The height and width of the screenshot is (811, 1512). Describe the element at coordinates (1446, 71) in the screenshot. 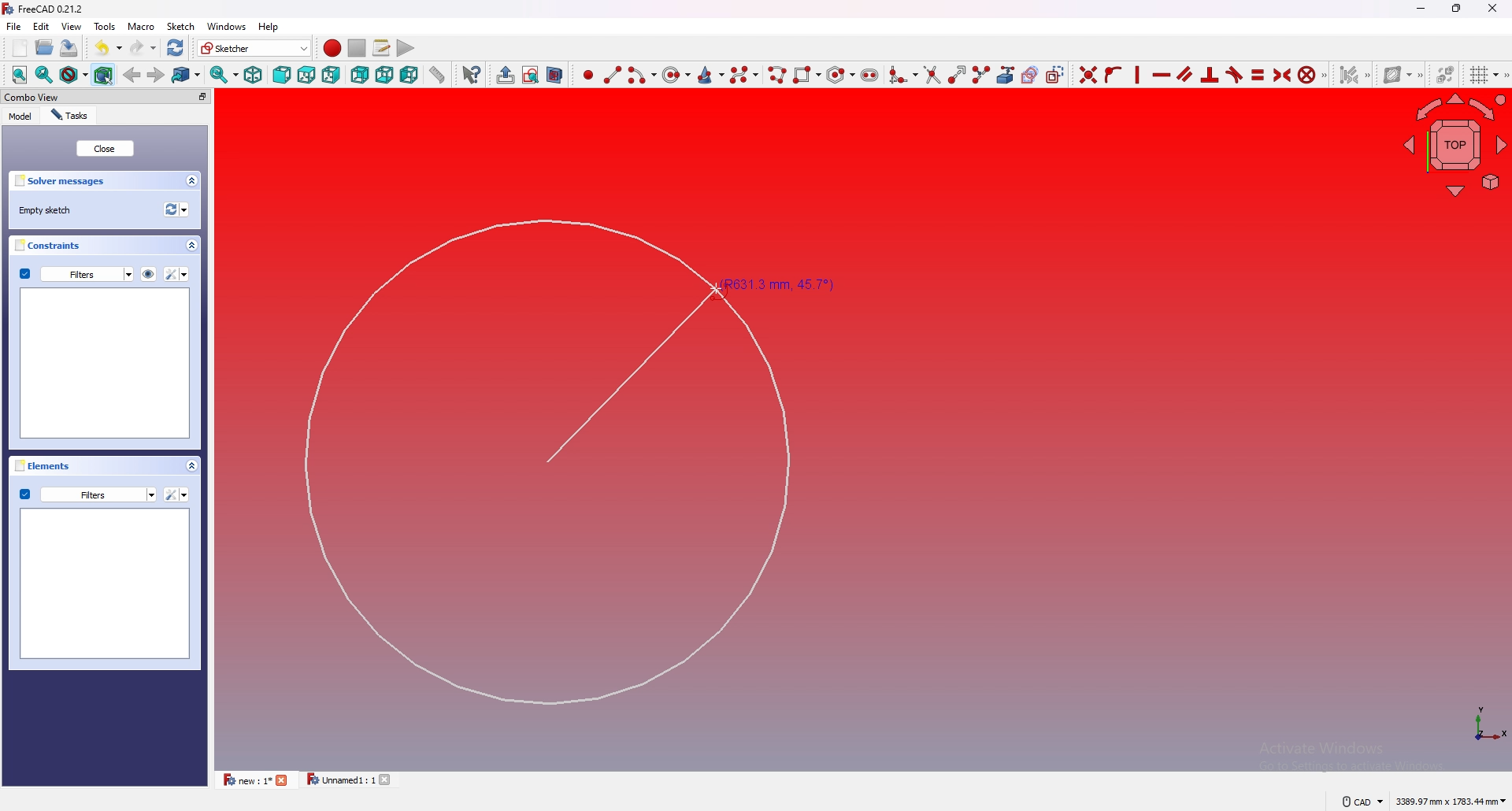

I see `switch virtual space` at that location.